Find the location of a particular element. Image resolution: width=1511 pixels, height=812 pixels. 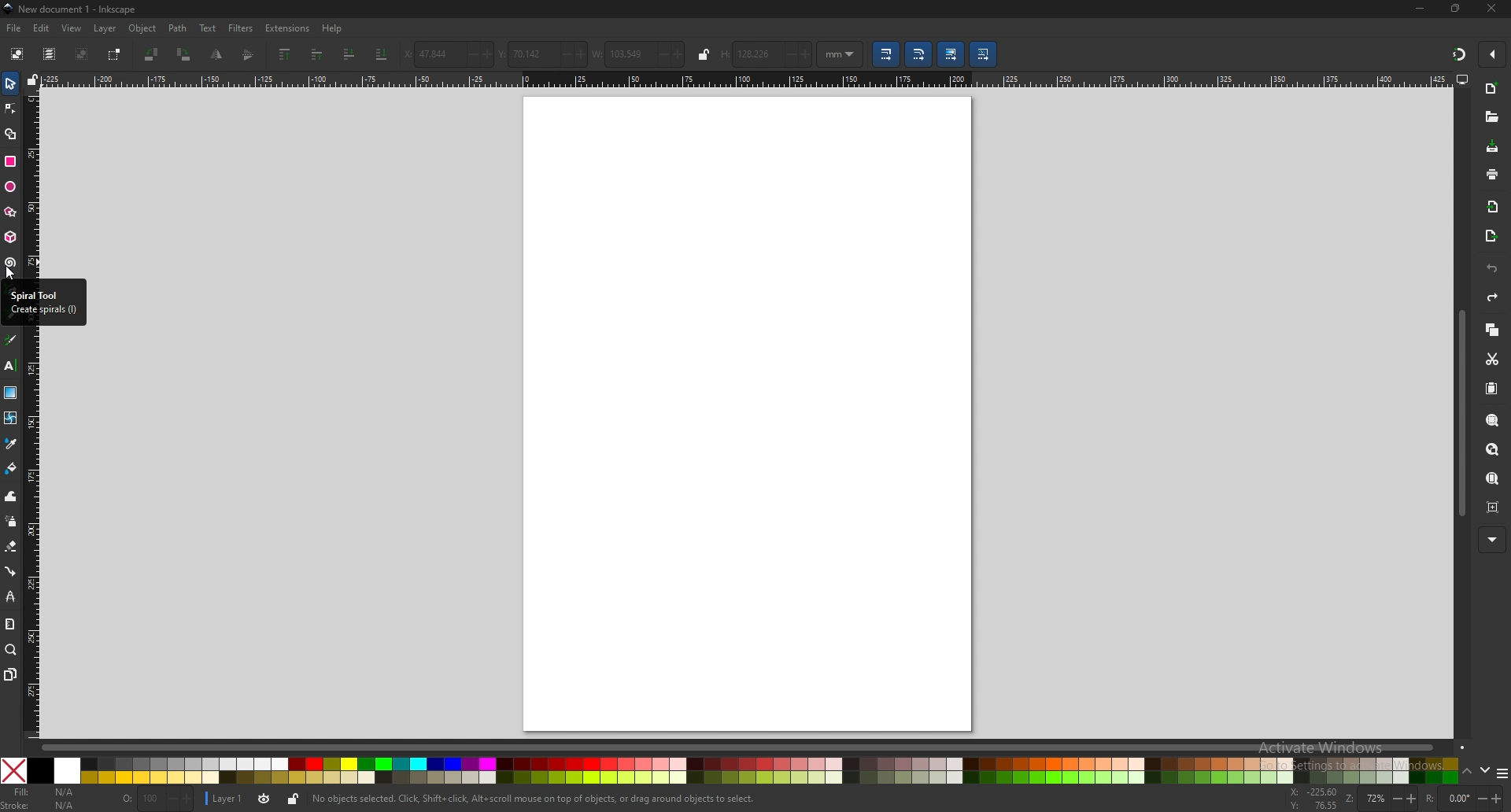

calligraphy is located at coordinates (12, 339).